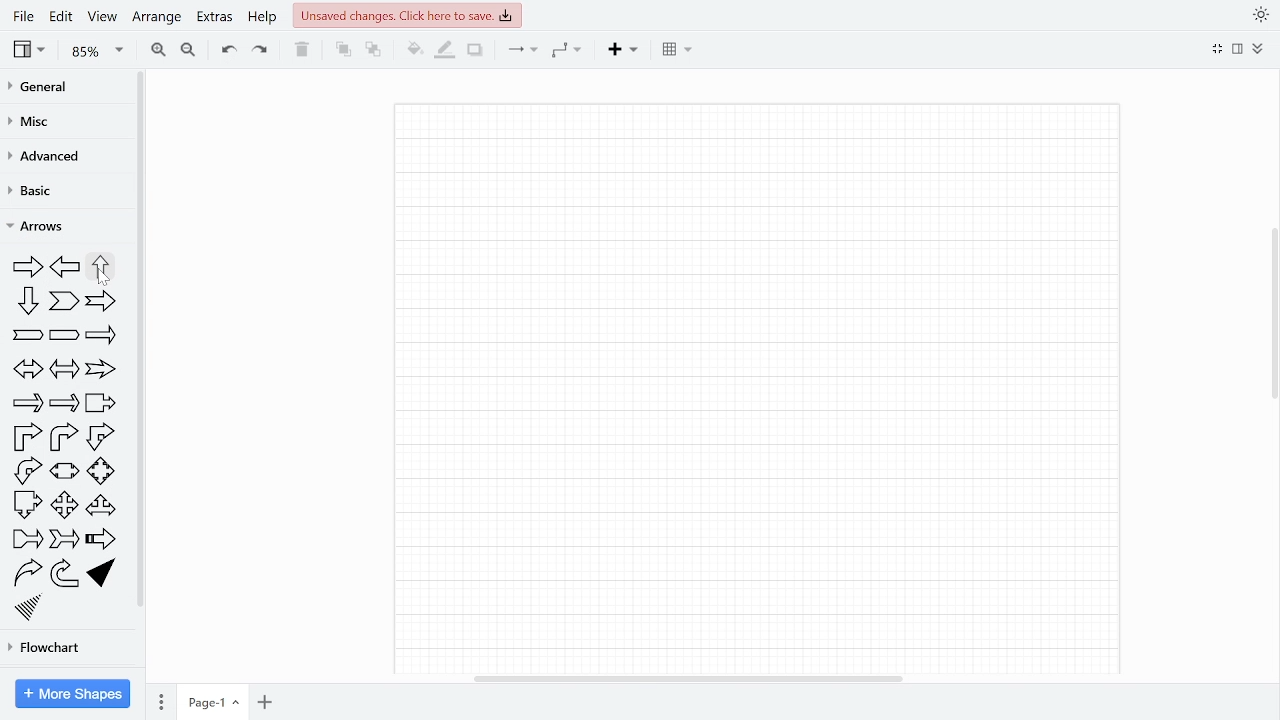 This screenshot has width=1280, height=720. What do you see at coordinates (625, 50) in the screenshot?
I see `Insert` at bounding box center [625, 50].